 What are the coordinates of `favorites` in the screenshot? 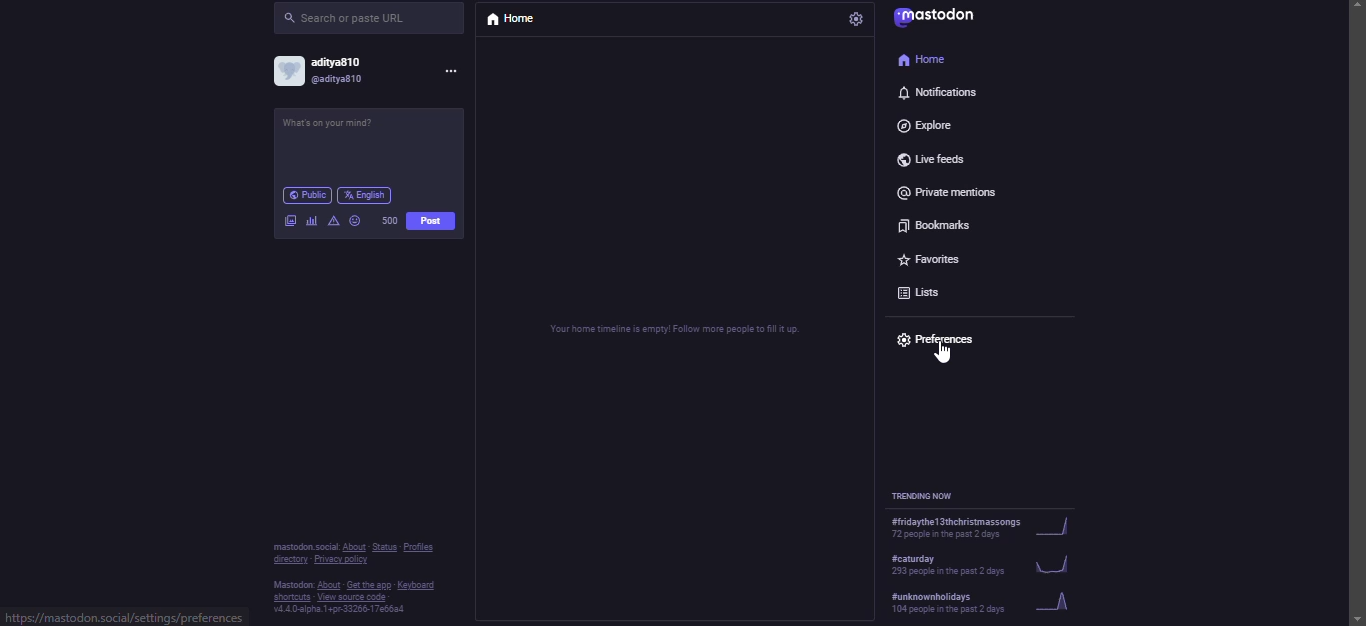 It's located at (933, 255).